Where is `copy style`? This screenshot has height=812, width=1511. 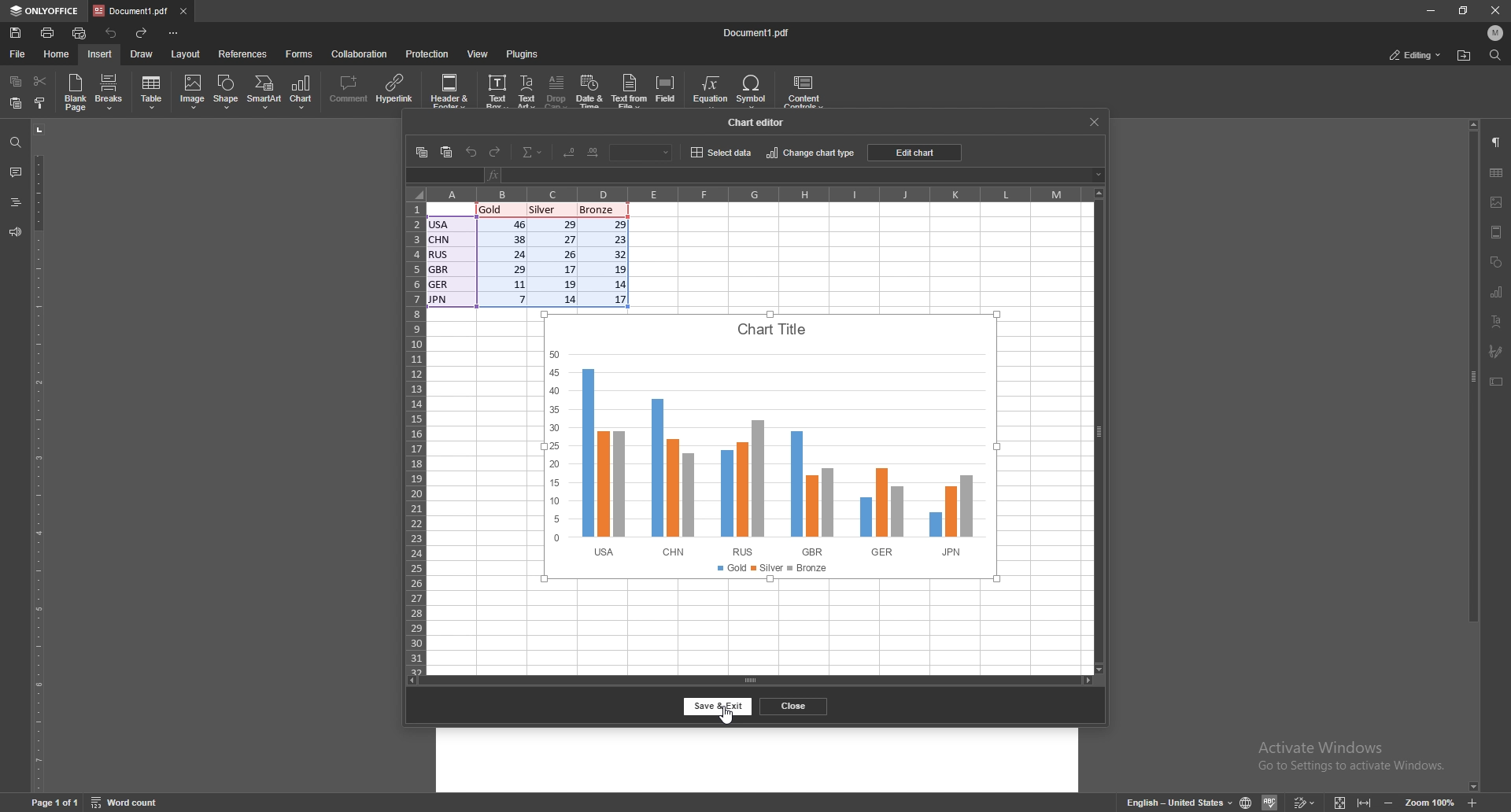
copy style is located at coordinates (39, 104).